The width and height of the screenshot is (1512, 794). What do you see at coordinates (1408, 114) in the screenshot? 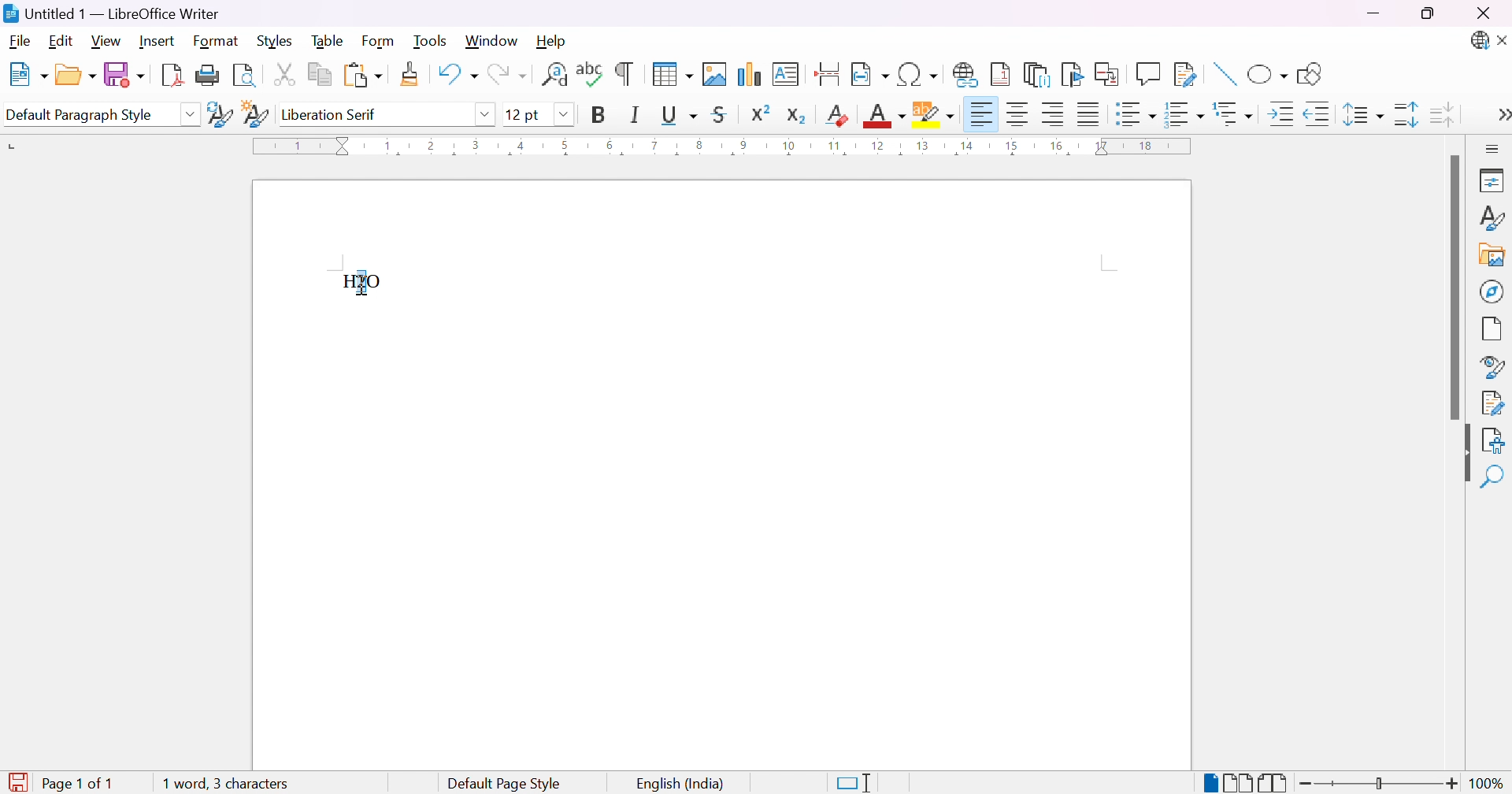
I see `Increase paragraph spacing` at bounding box center [1408, 114].